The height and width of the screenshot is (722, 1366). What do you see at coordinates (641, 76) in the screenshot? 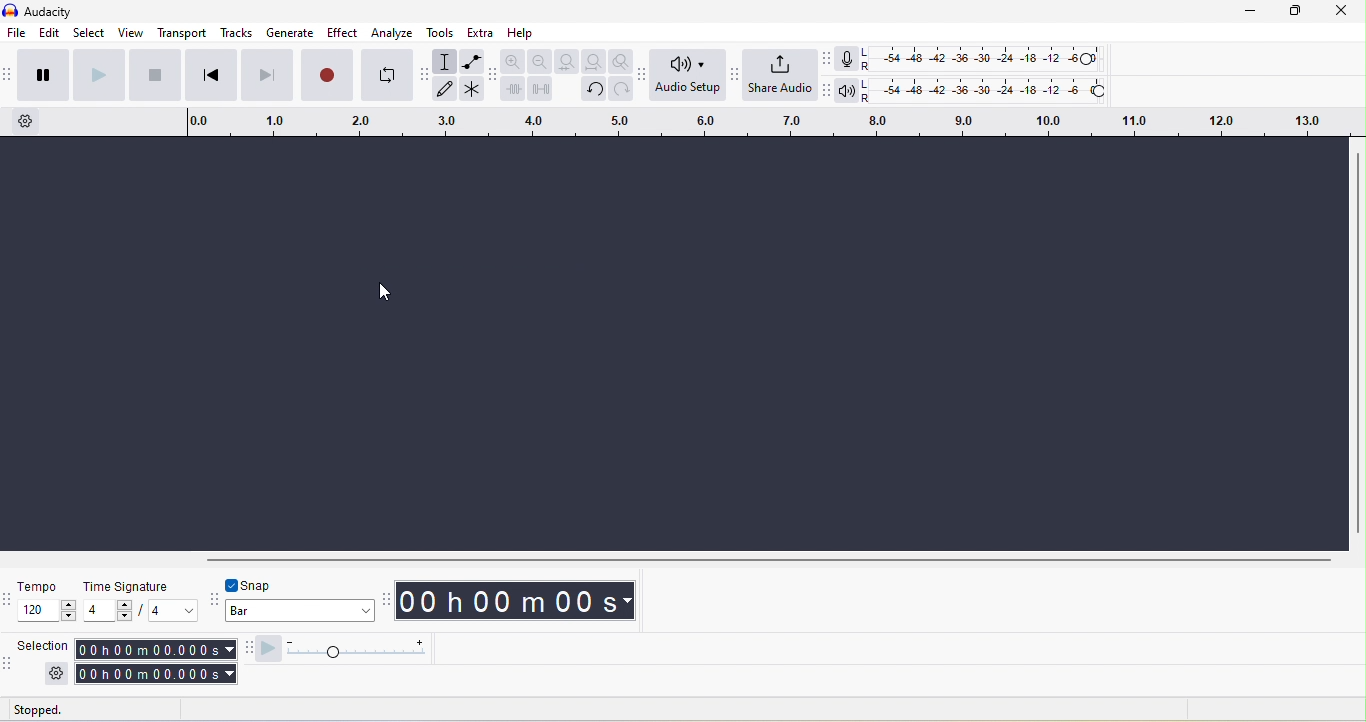
I see `audio setup toolbar` at bounding box center [641, 76].